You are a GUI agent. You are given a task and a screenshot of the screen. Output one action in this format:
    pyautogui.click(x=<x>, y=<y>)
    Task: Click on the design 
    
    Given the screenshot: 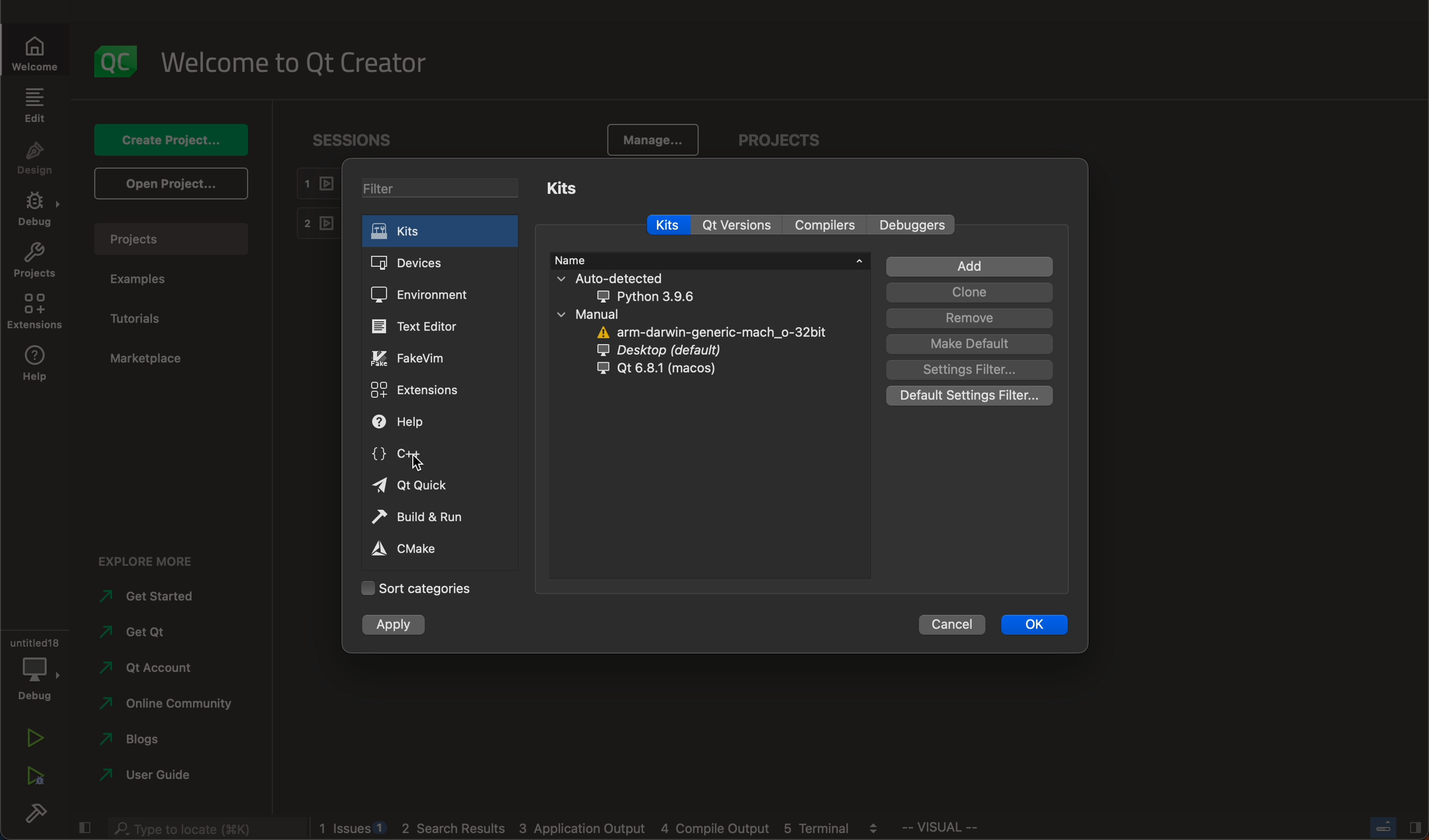 What is the action you would take?
    pyautogui.click(x=35, y=159)
    